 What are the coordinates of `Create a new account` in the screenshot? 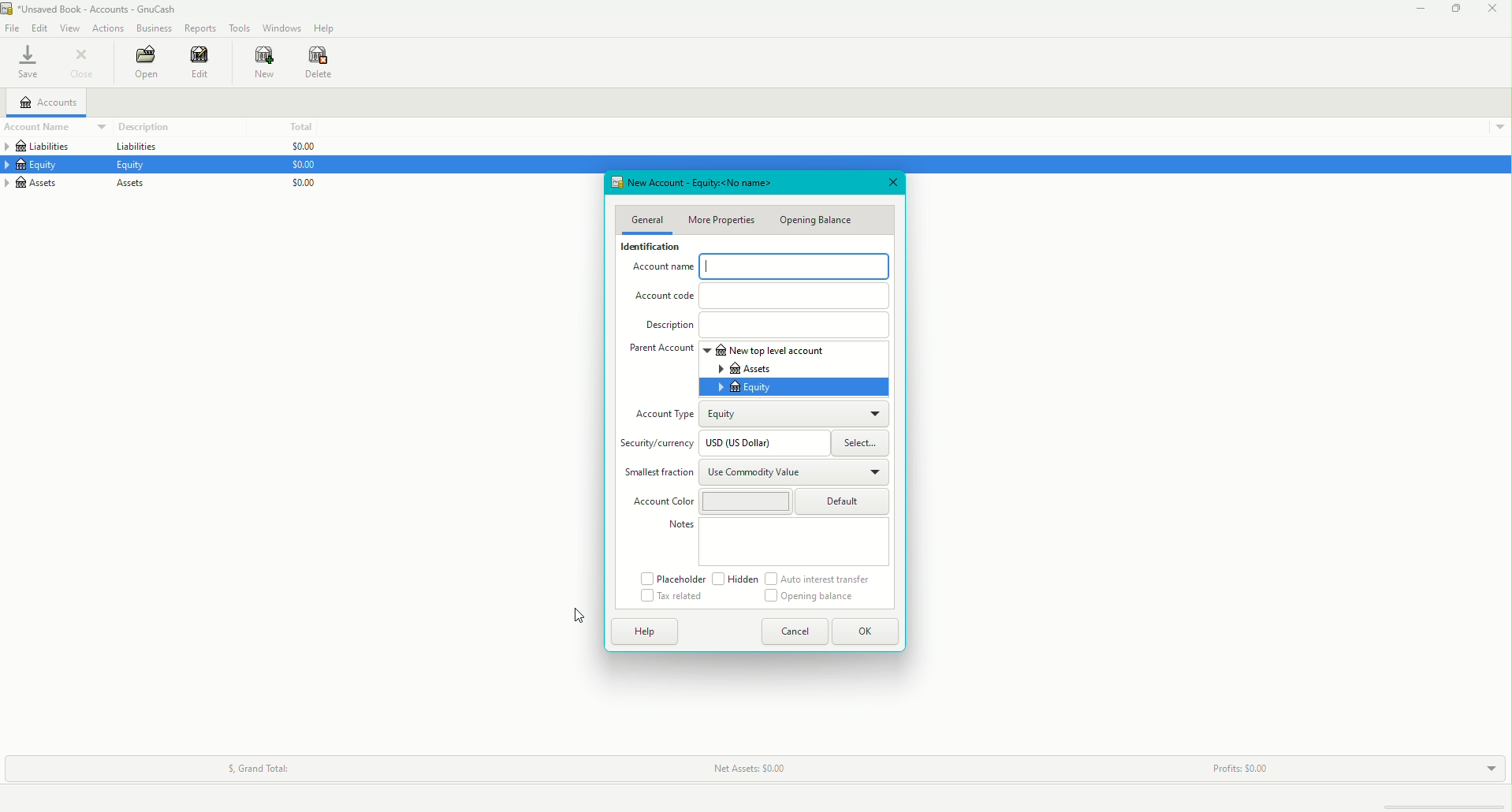 It's located at (69, 799).